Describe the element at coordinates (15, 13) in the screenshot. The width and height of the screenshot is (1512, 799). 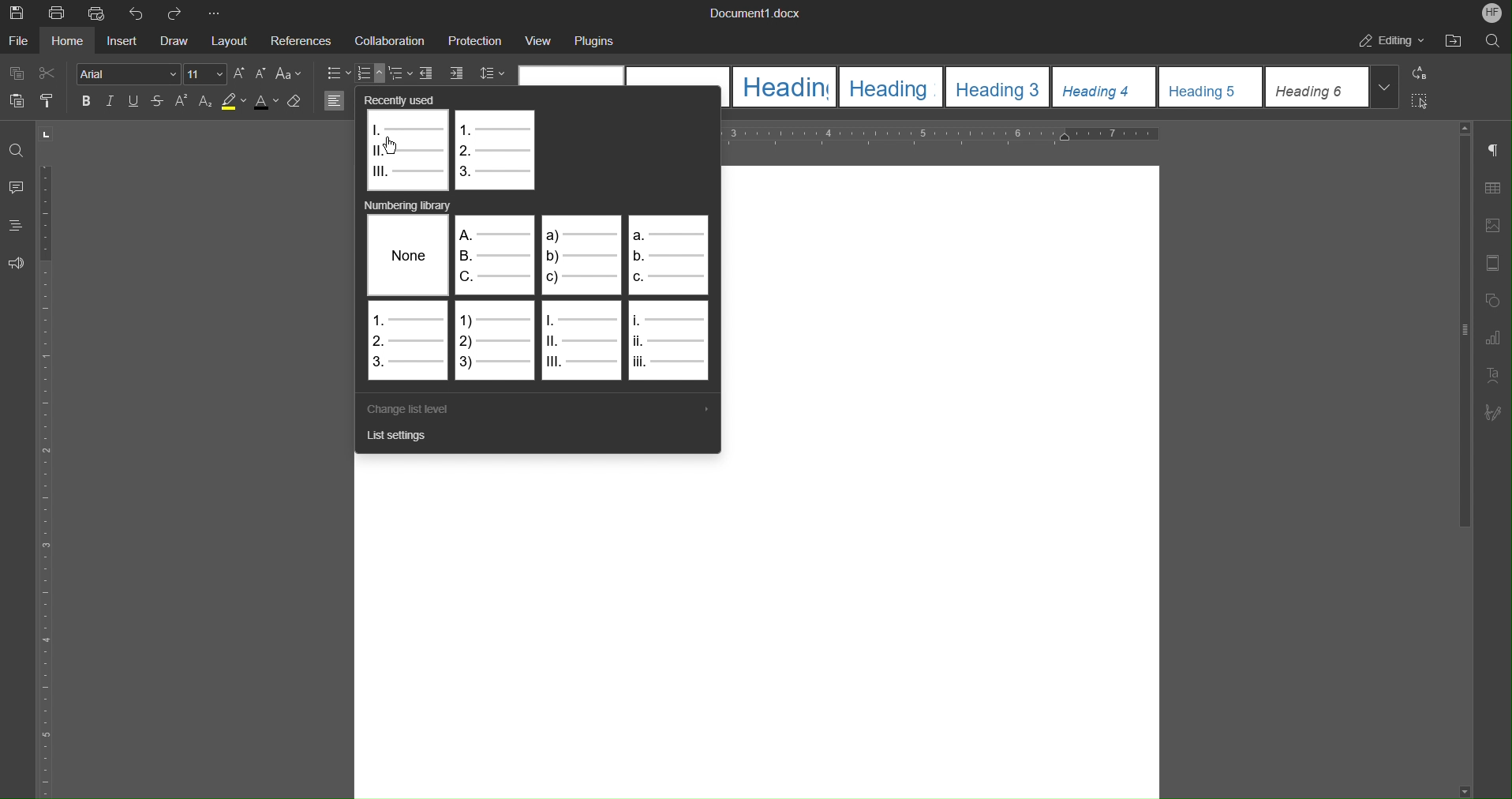
I see `Save` at that location.